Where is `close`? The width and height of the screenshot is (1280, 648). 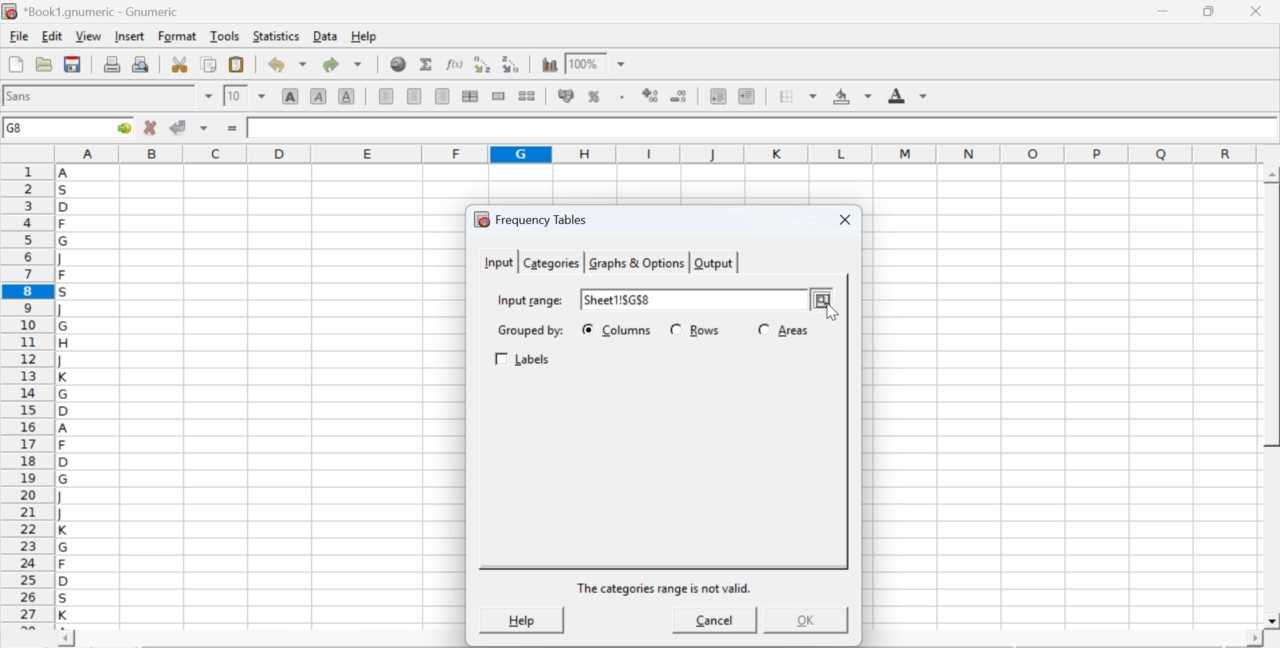
close is located at coordinates (842, 221).